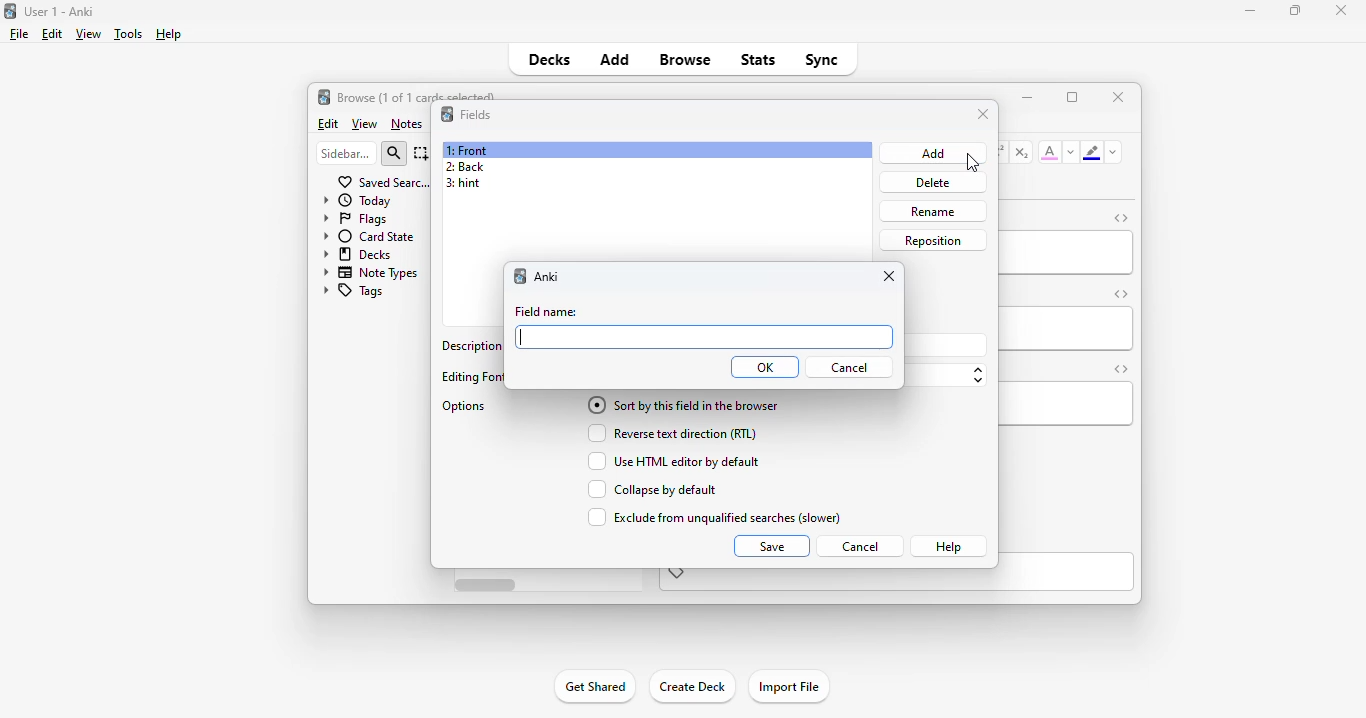 Image resolution: width=1366 pixels, height=718 pixels. What do you see at coordinates (820, 58) in the screenshot?
I see `sync` at bounding box center [820, 58].